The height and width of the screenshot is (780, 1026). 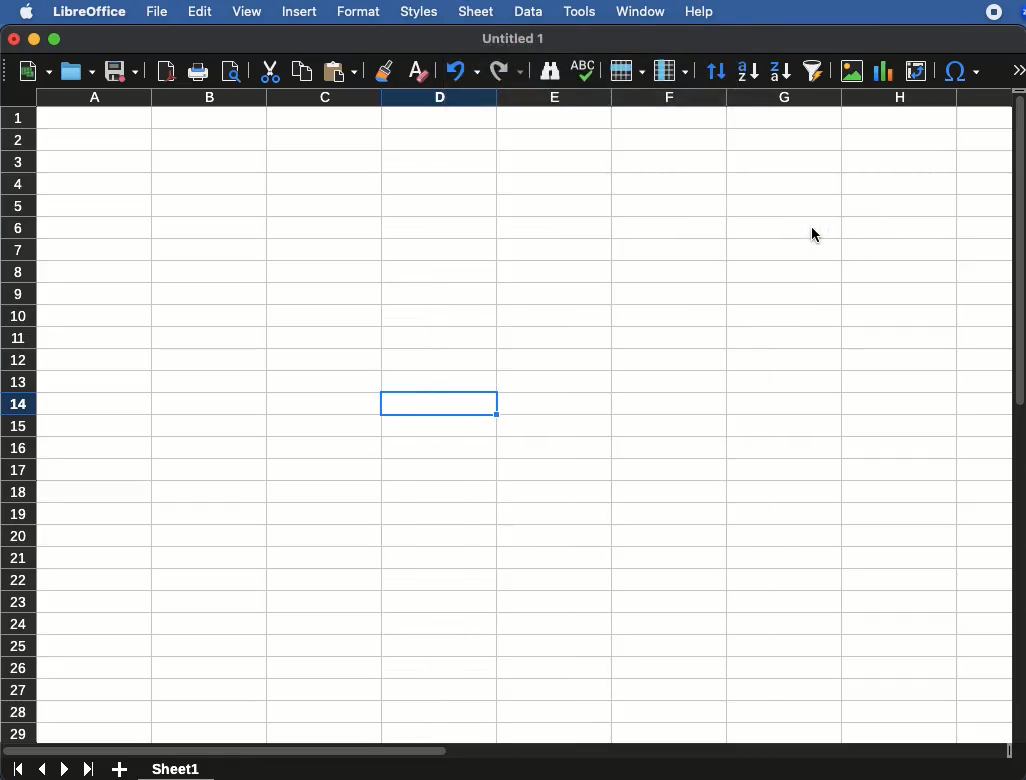 I want to click on chart, so click(x=884, y=72).